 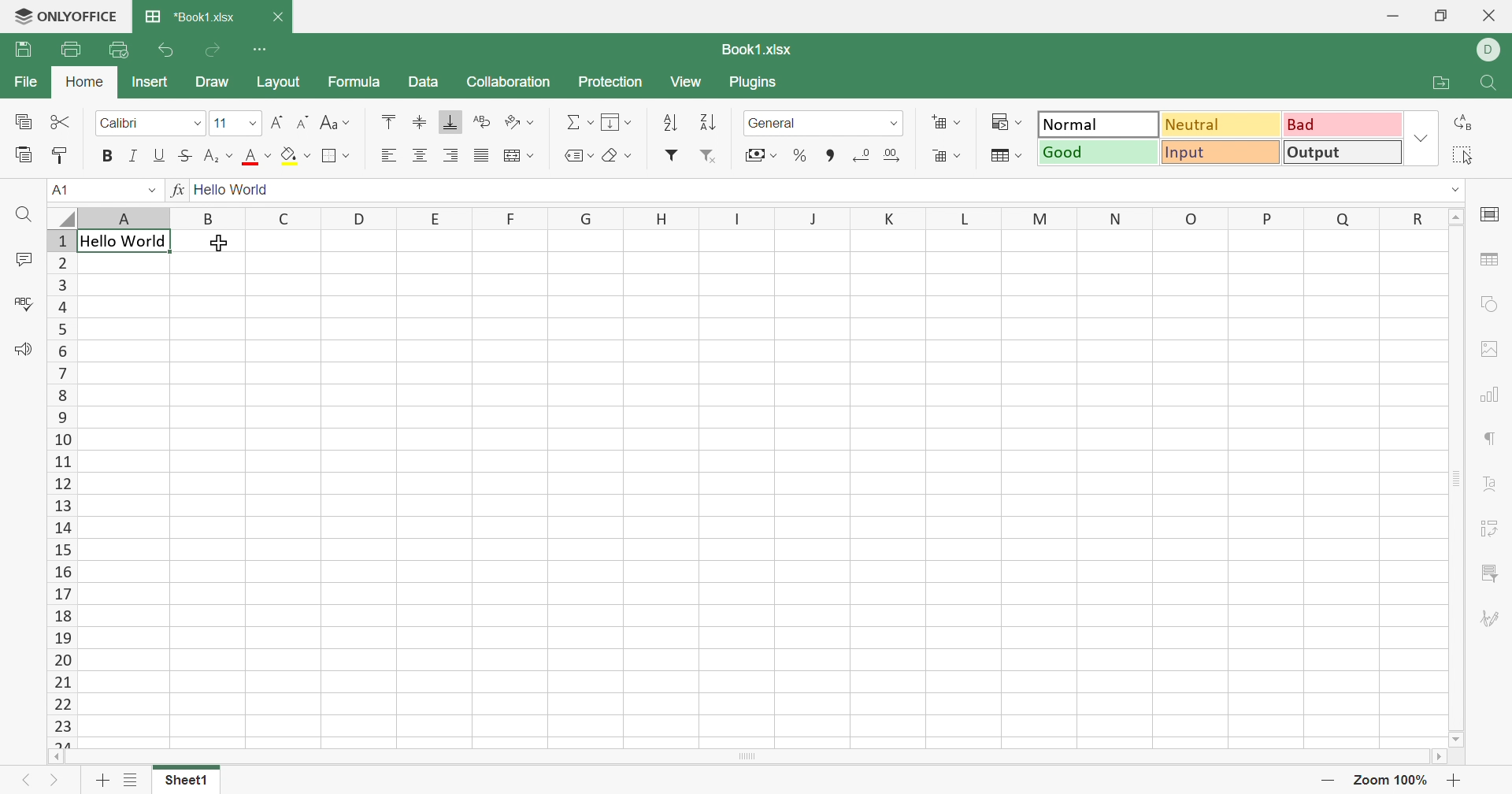 What do you see at coordinates (19, 260) in the screenshot?
I see `Comments` at bounding box center [19, 260].